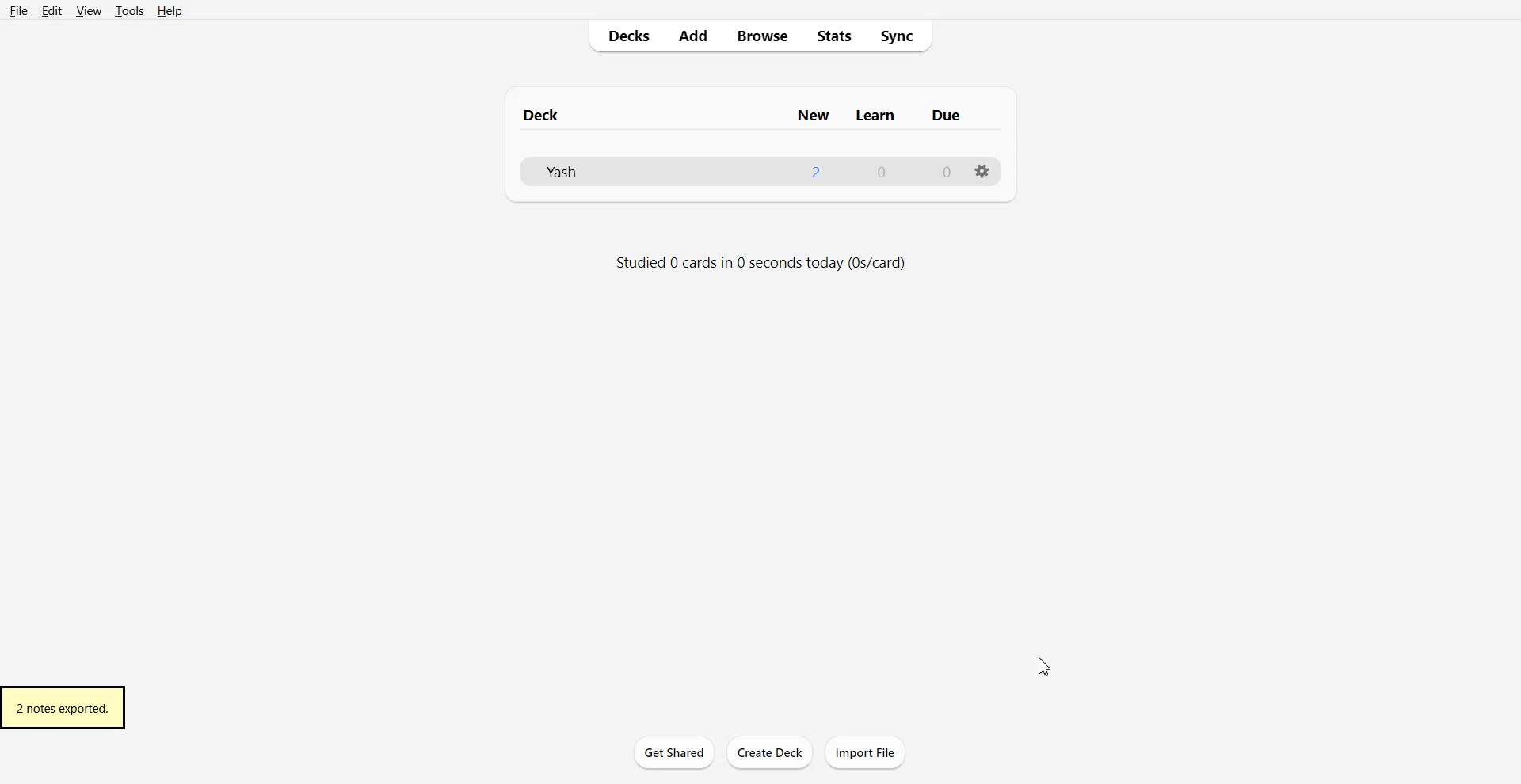  I want to click on deck, so click(556, 113).